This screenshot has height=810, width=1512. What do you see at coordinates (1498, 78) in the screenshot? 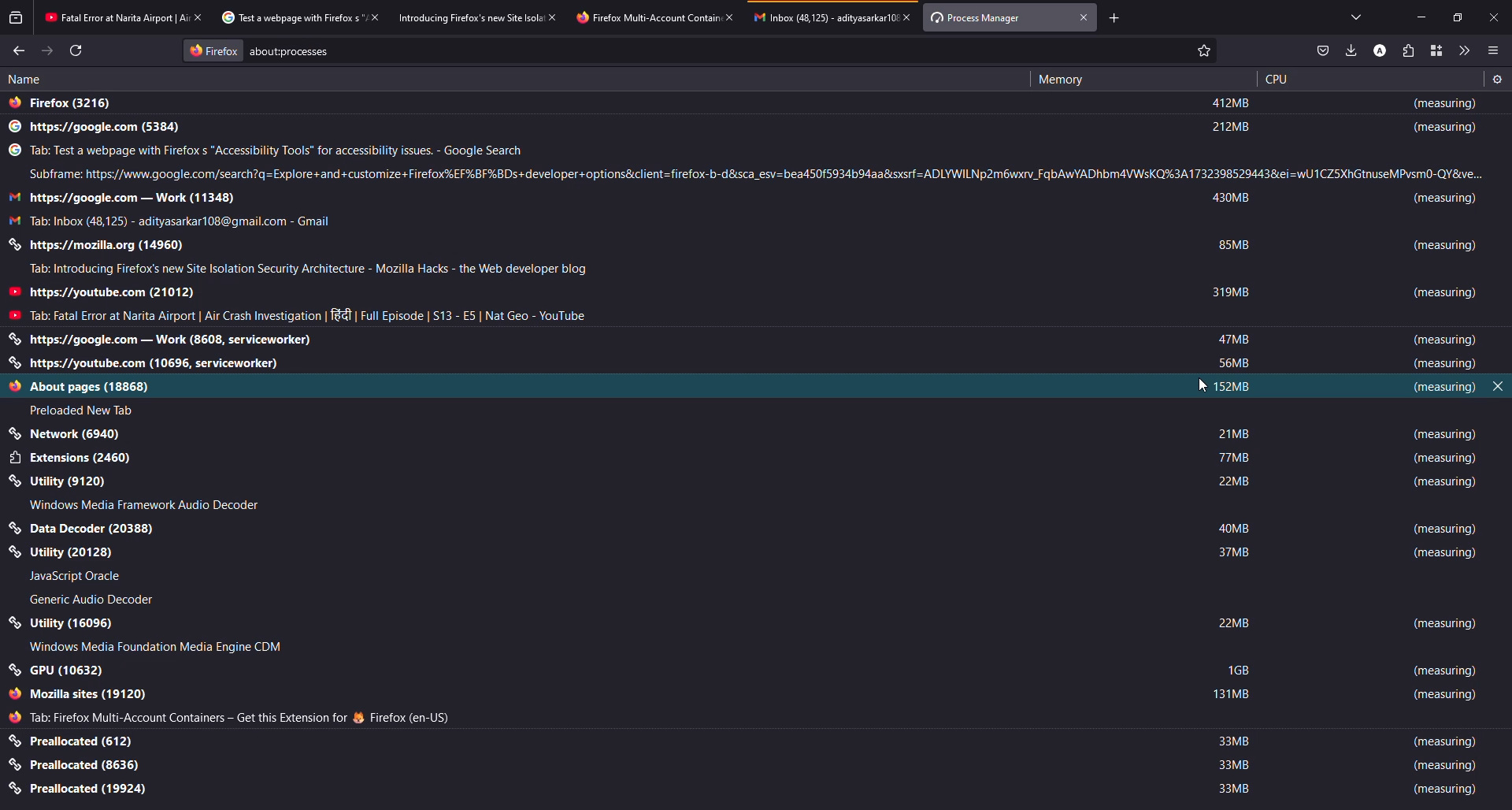
I see `setting` at bounding box center [1498, 78].